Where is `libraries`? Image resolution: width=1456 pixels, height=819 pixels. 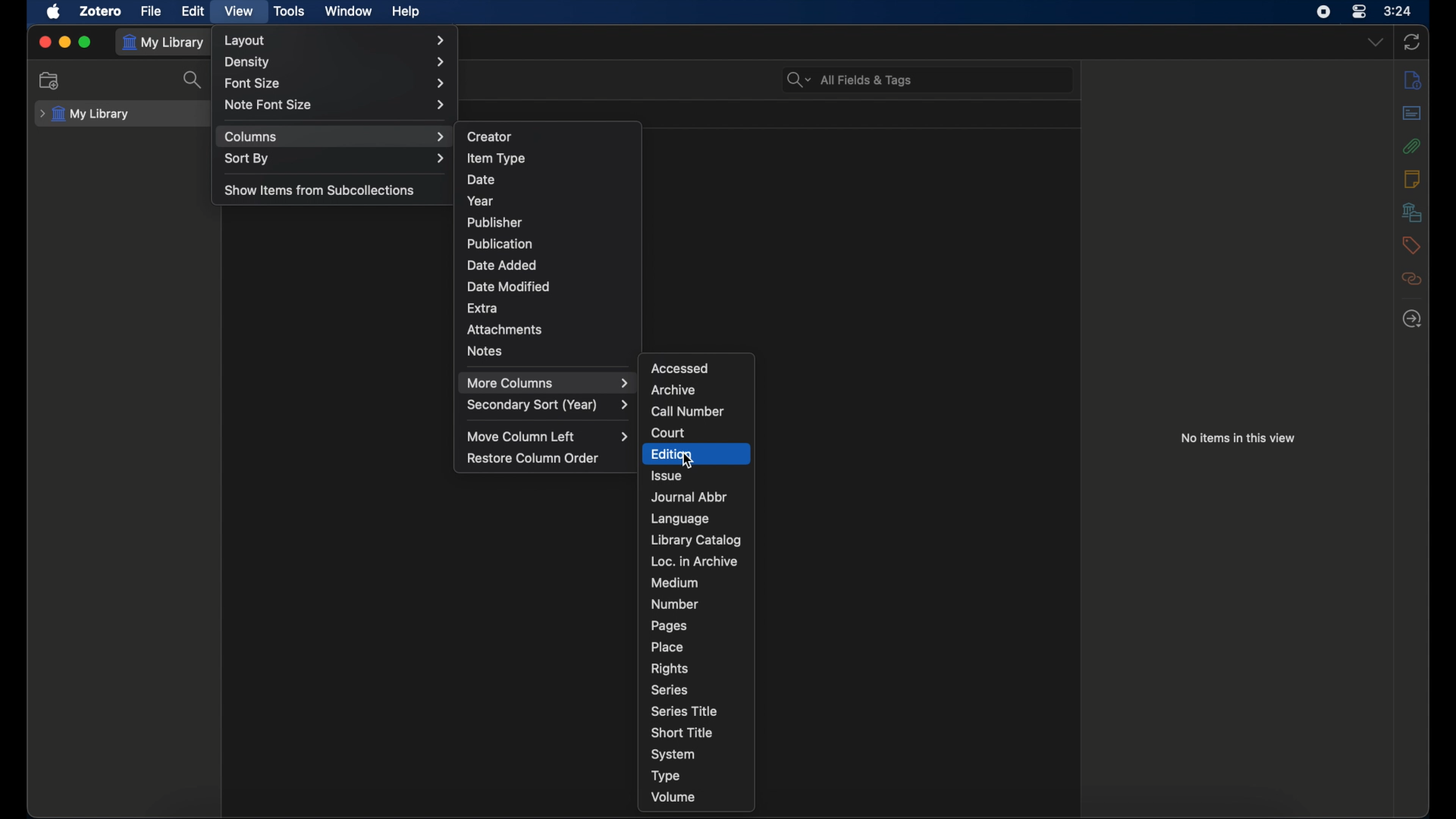 libraries is located at coordinates (1411, 212).